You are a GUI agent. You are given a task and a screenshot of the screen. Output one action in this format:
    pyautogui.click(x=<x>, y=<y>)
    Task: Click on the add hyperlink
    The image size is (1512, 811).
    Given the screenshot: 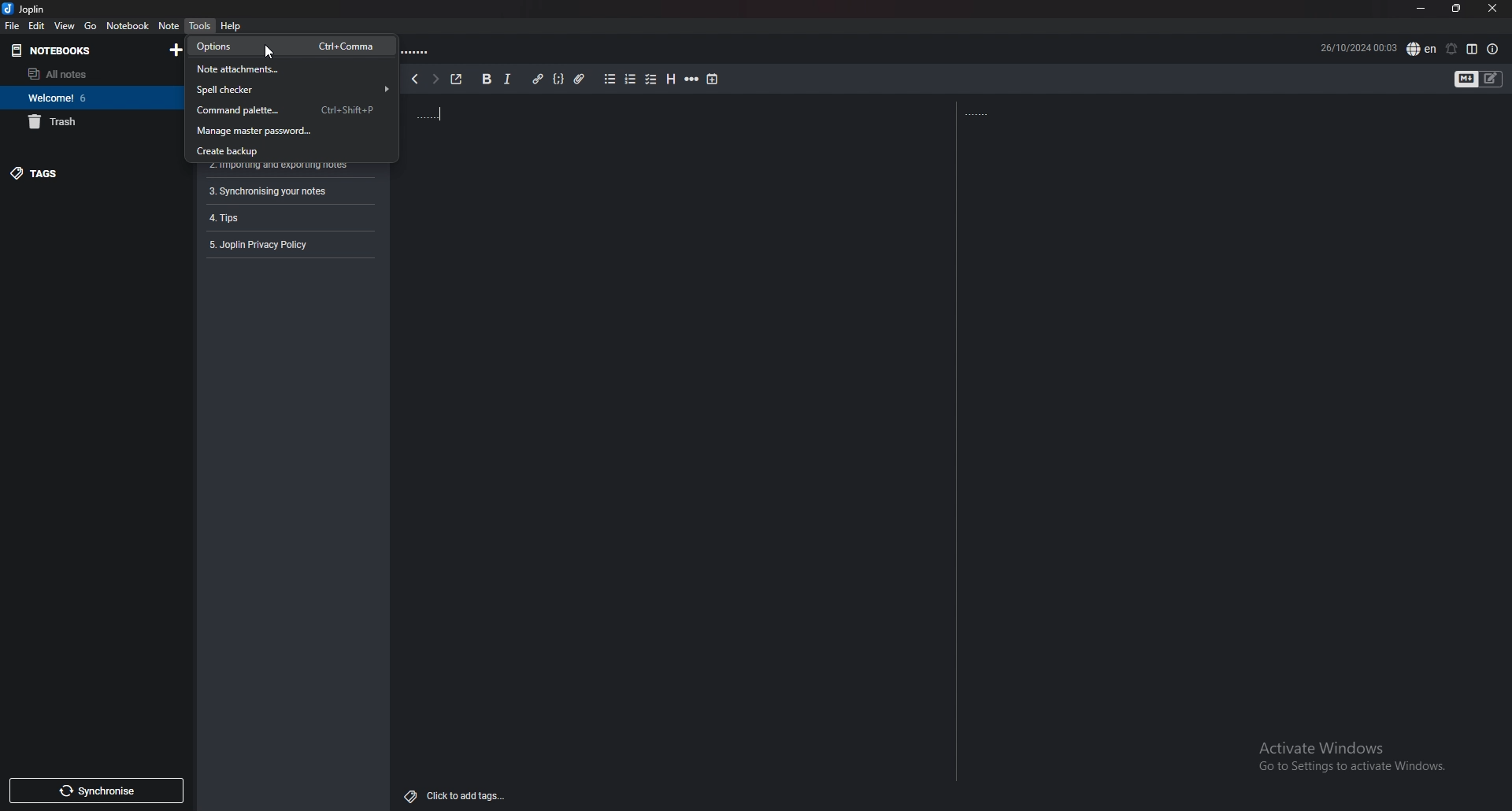 What is the action you would take?
    pyautogui.click(x=539, y=79)
    